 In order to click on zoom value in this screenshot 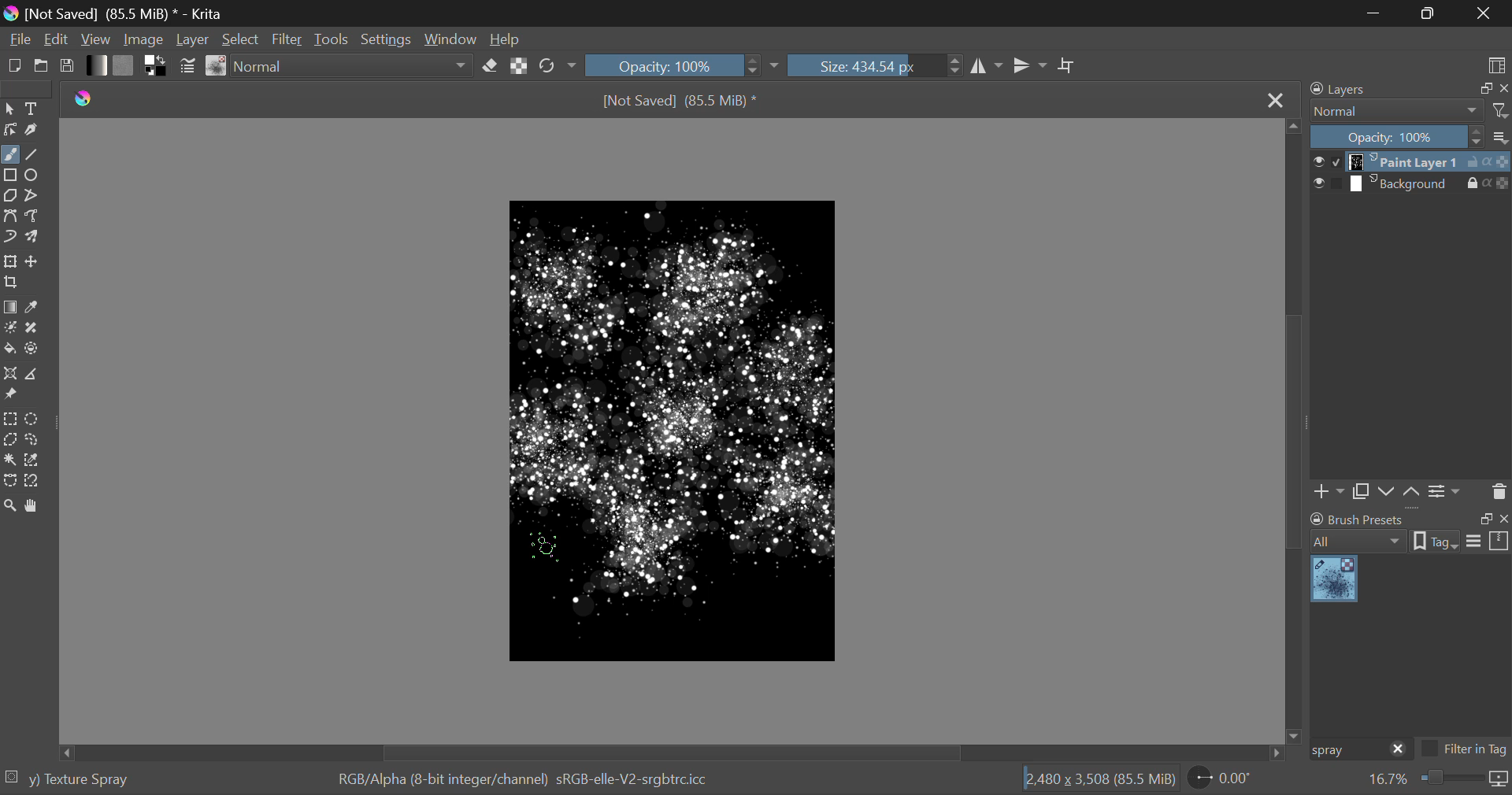, I will do `click(1388, 780)`.